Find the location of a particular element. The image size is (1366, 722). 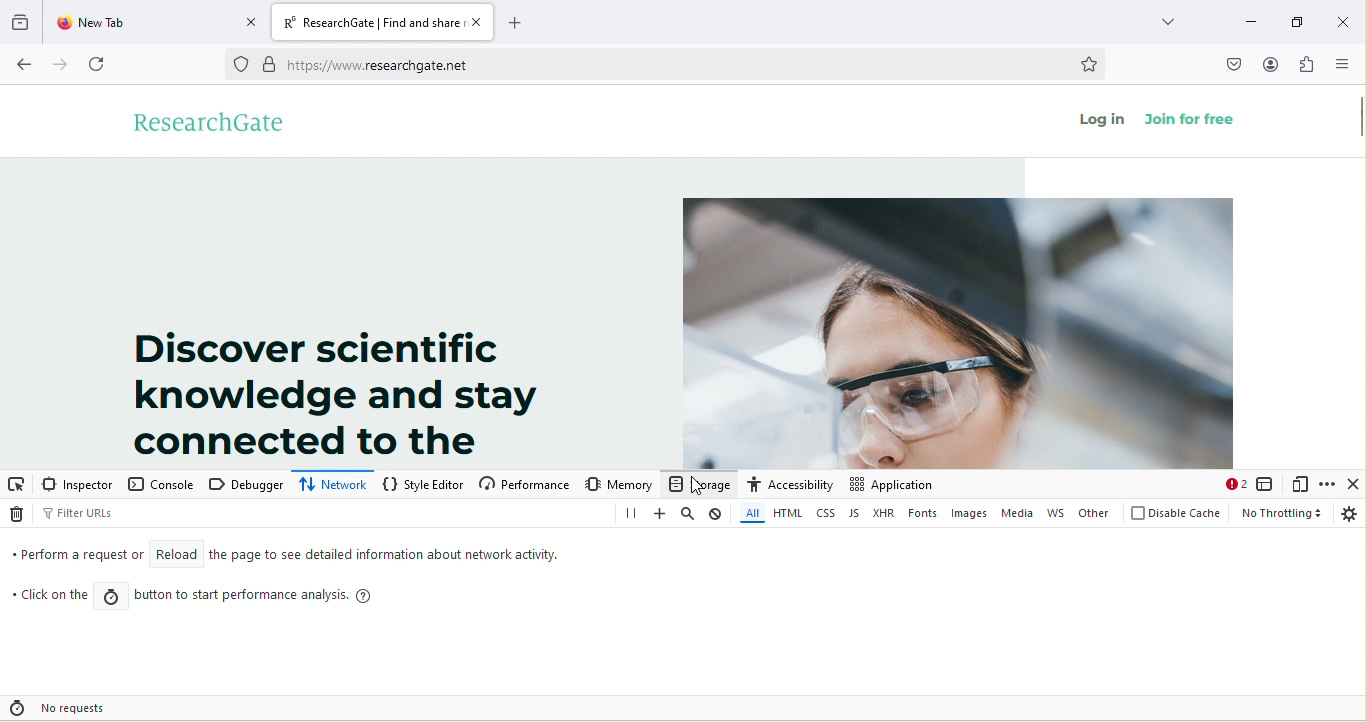

account is located at coordinates (1269, 62).